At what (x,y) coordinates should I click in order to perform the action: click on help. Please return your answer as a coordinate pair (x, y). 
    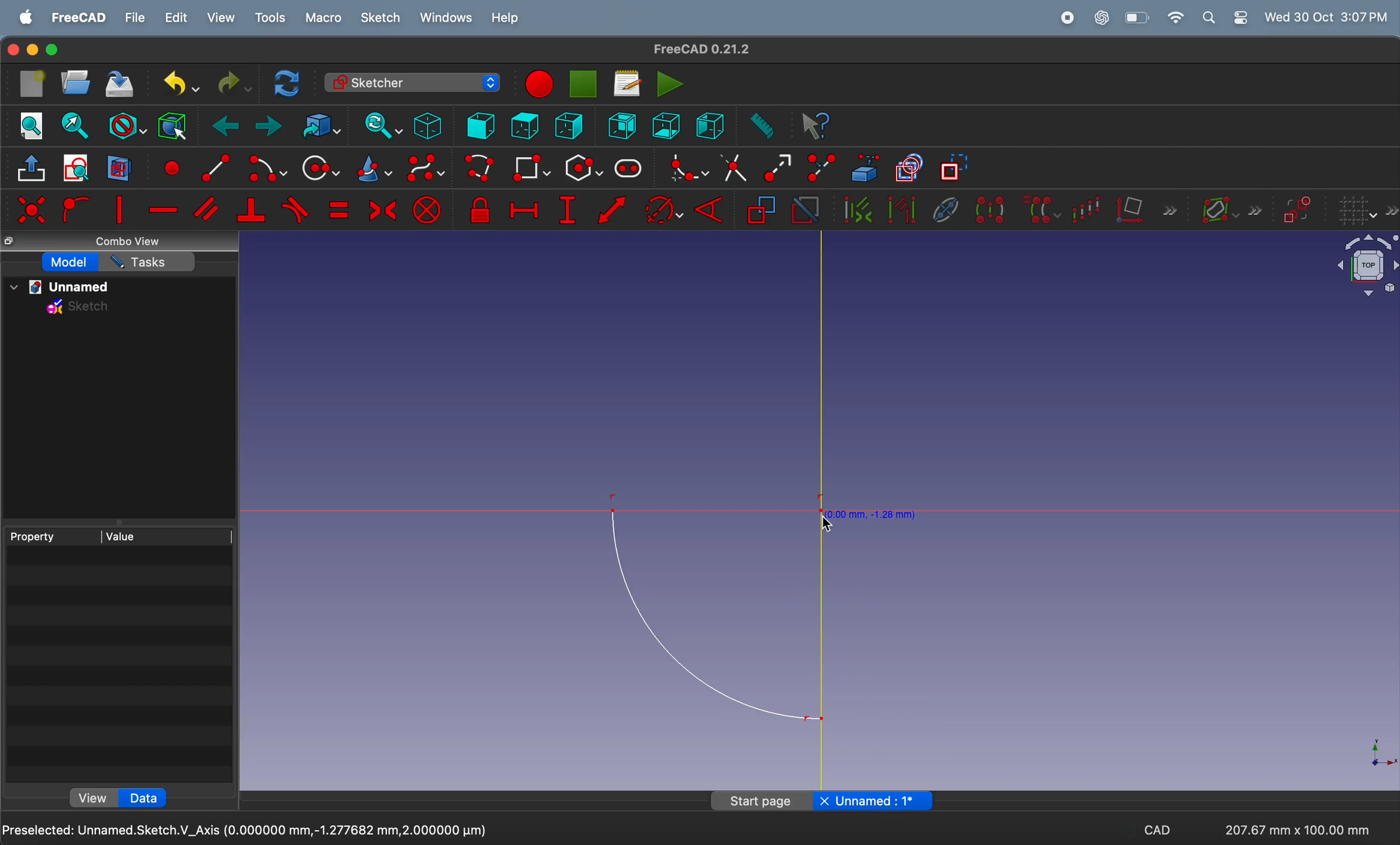
    Looking at the image, I should click on (505, 20).